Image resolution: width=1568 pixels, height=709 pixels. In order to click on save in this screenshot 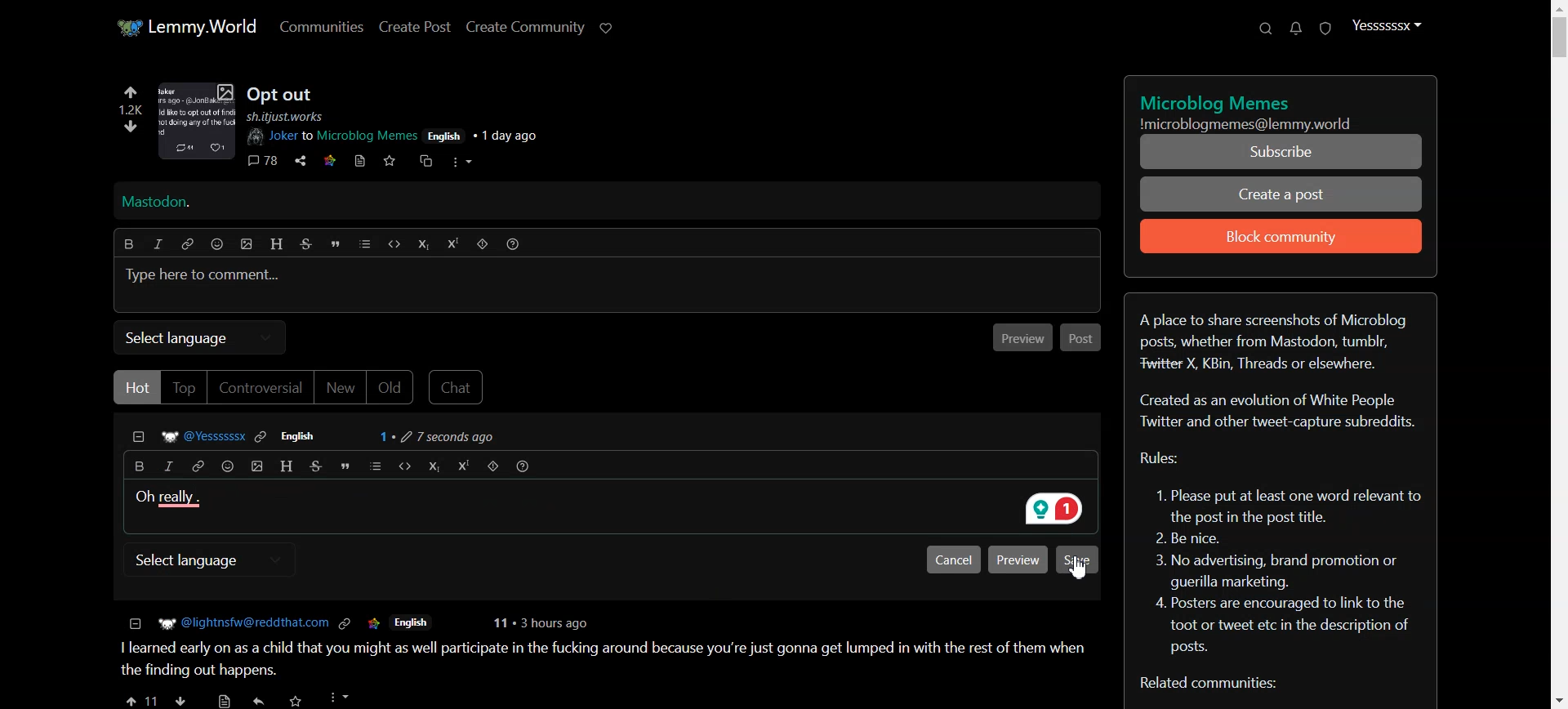, I will do `click(389, 161)`.